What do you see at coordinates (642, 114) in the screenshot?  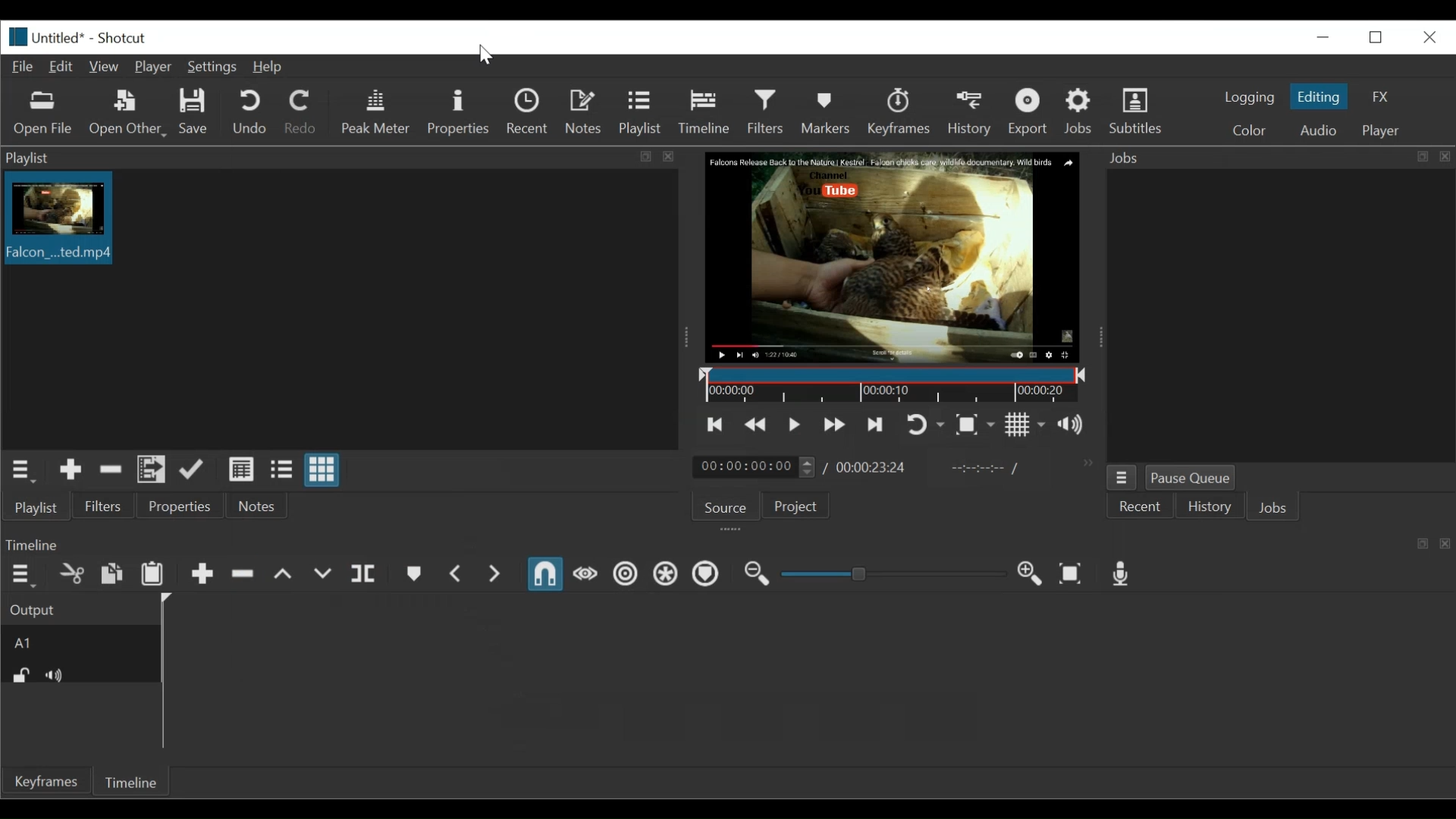 I see `Playlist` at bounding box center [642, 114].